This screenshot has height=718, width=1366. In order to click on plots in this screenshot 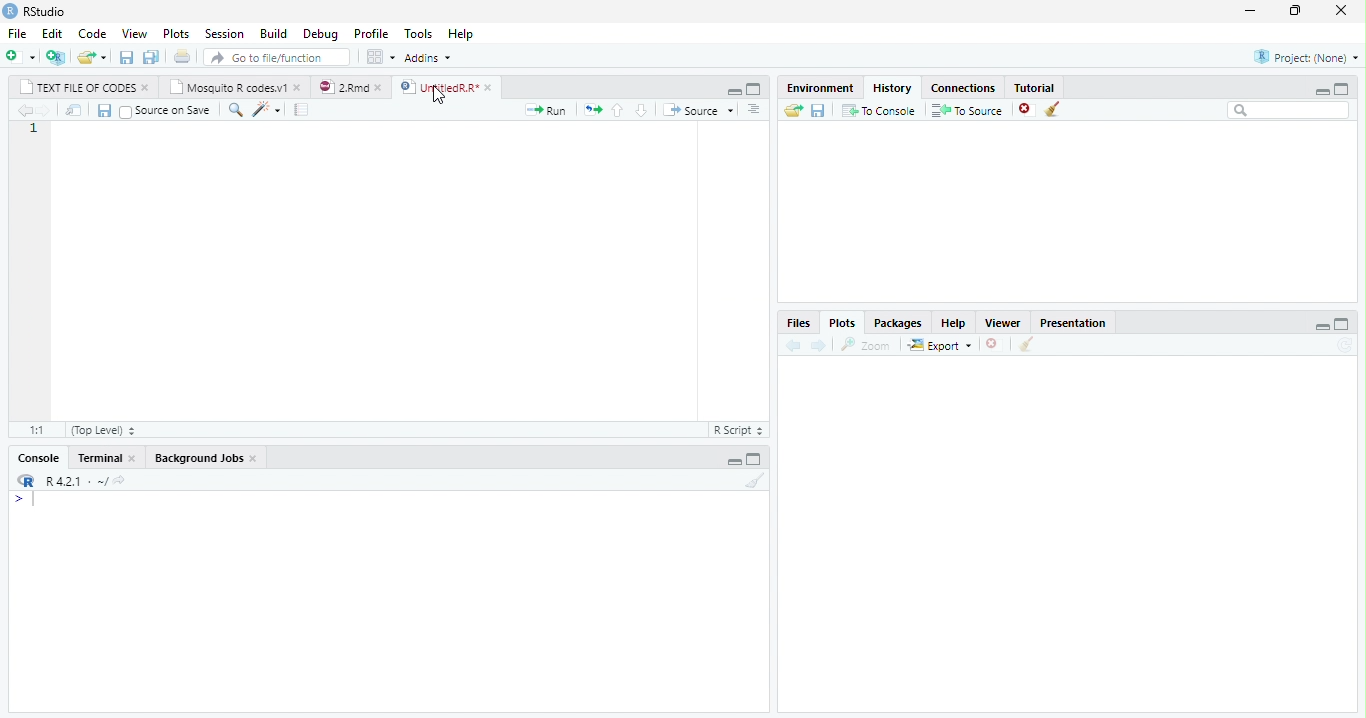, I will do `click(174, 32)`.